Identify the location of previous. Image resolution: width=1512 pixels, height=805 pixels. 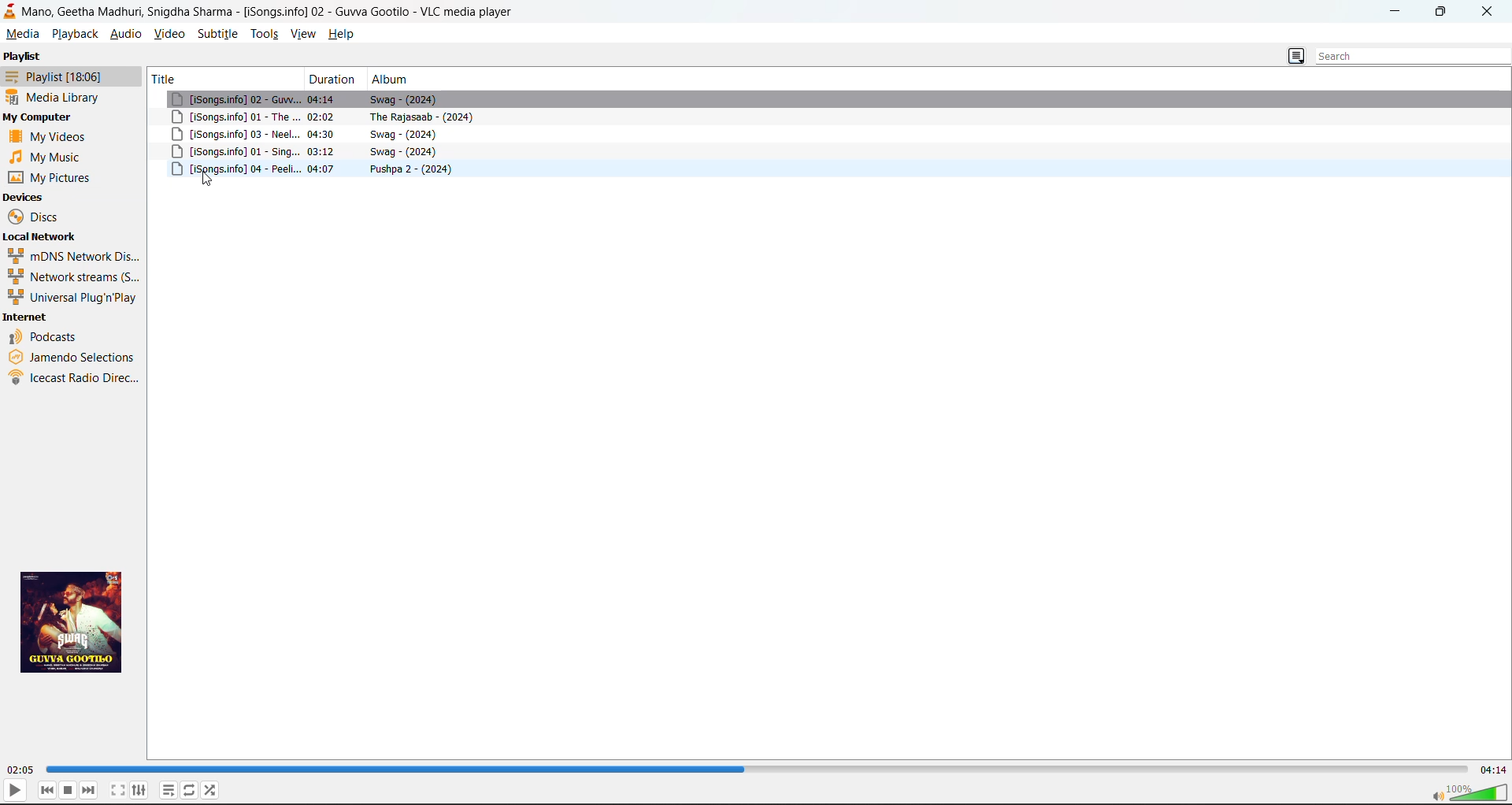
(47, 791).